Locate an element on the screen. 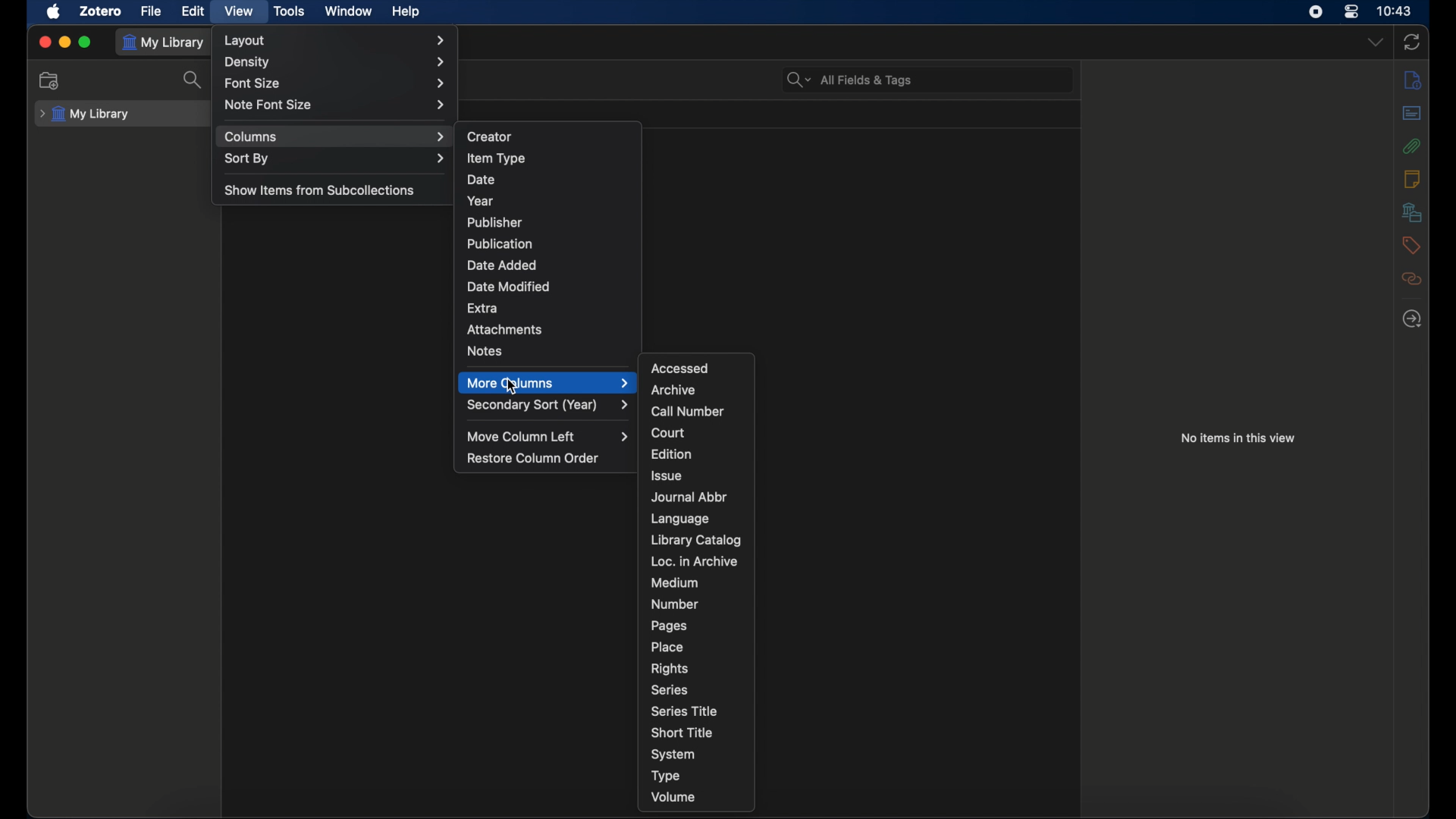  court is located at coordinates (669, 432).